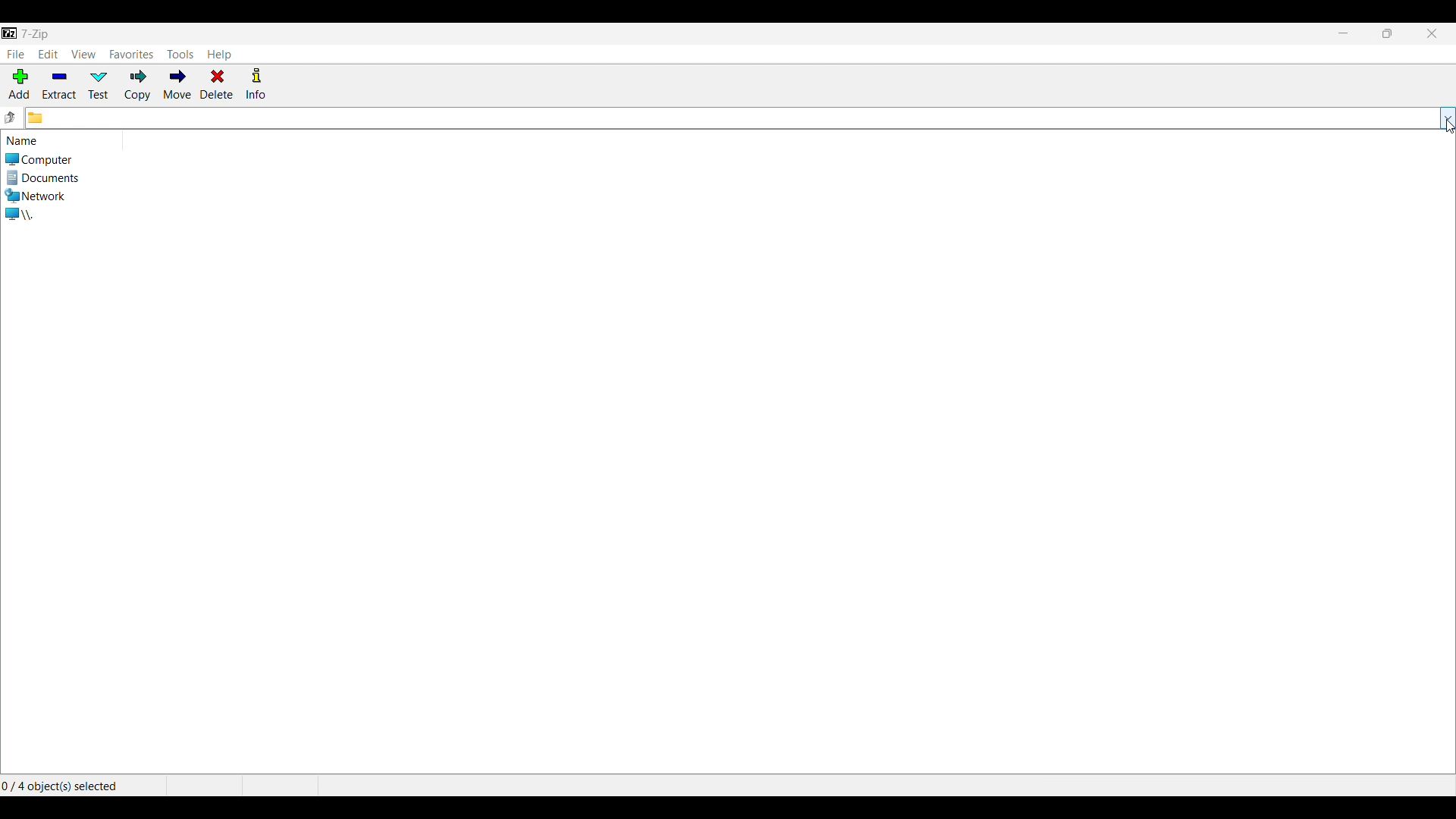  What do you see at coordinates (131, 54) in the screenshot?
I see `Favorites menu` at bounding box center [131, 54].